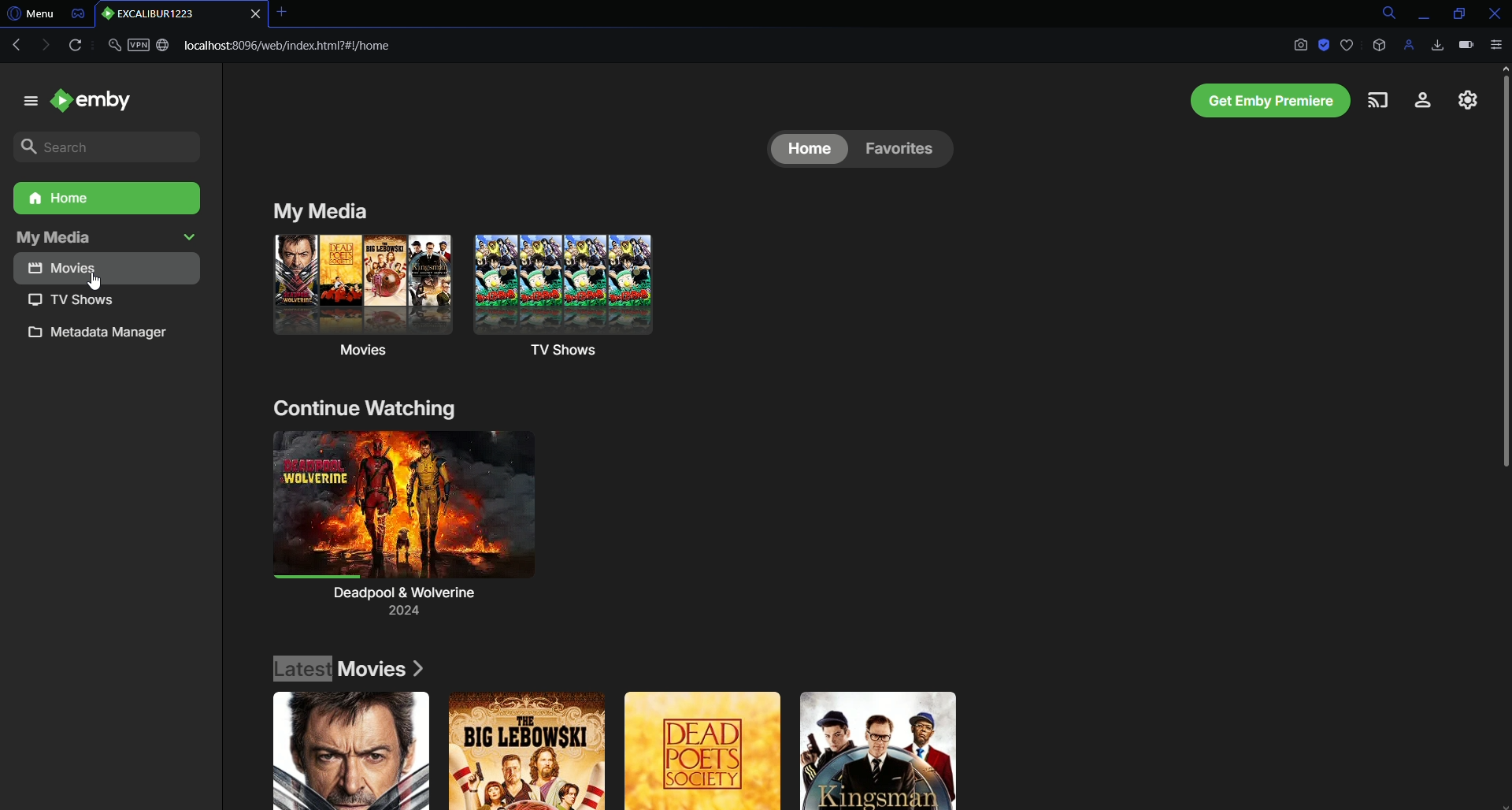 The width and height of the screenshot is (1512, 810). Describe the element at coordinates (345, 668) in the screenshot. I see `Latest Movies` at that location.